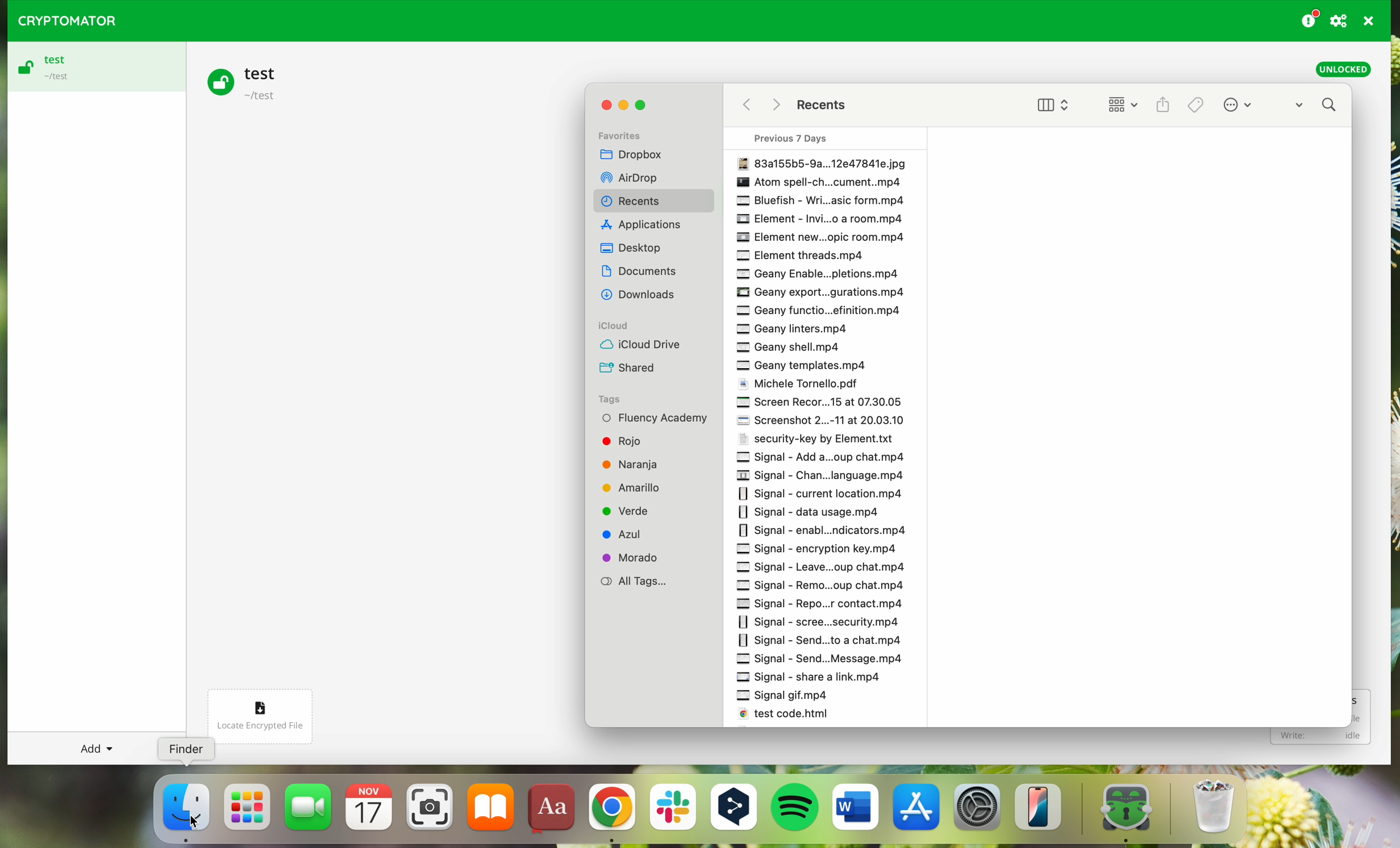 The image size is (1400, 848). What do you see at coordinates (814, 550) in the screenshot?
I see `signal encryption key` at bounding box center [814, 550].